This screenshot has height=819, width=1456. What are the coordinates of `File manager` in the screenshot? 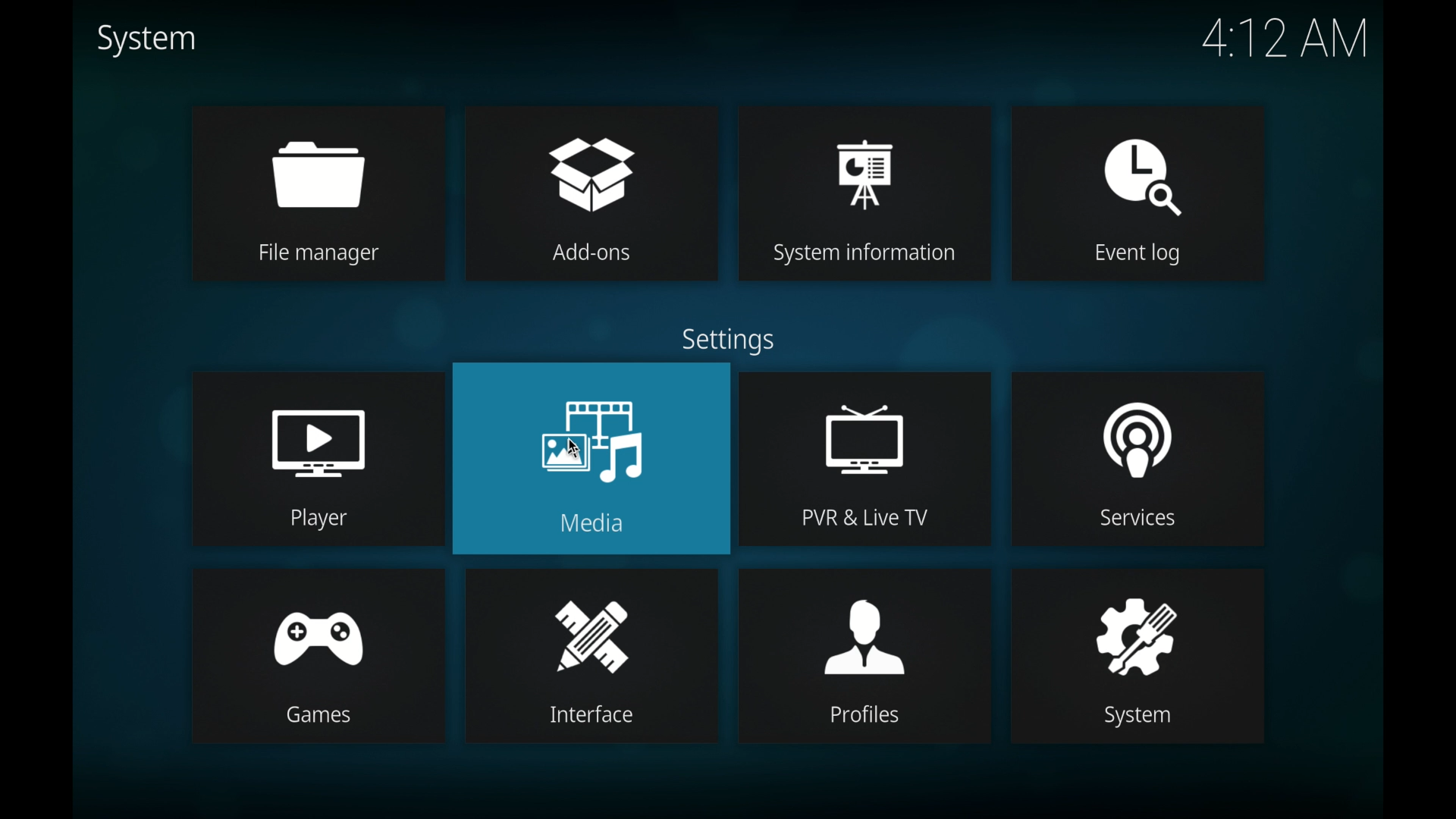 It's located at (325, 256).